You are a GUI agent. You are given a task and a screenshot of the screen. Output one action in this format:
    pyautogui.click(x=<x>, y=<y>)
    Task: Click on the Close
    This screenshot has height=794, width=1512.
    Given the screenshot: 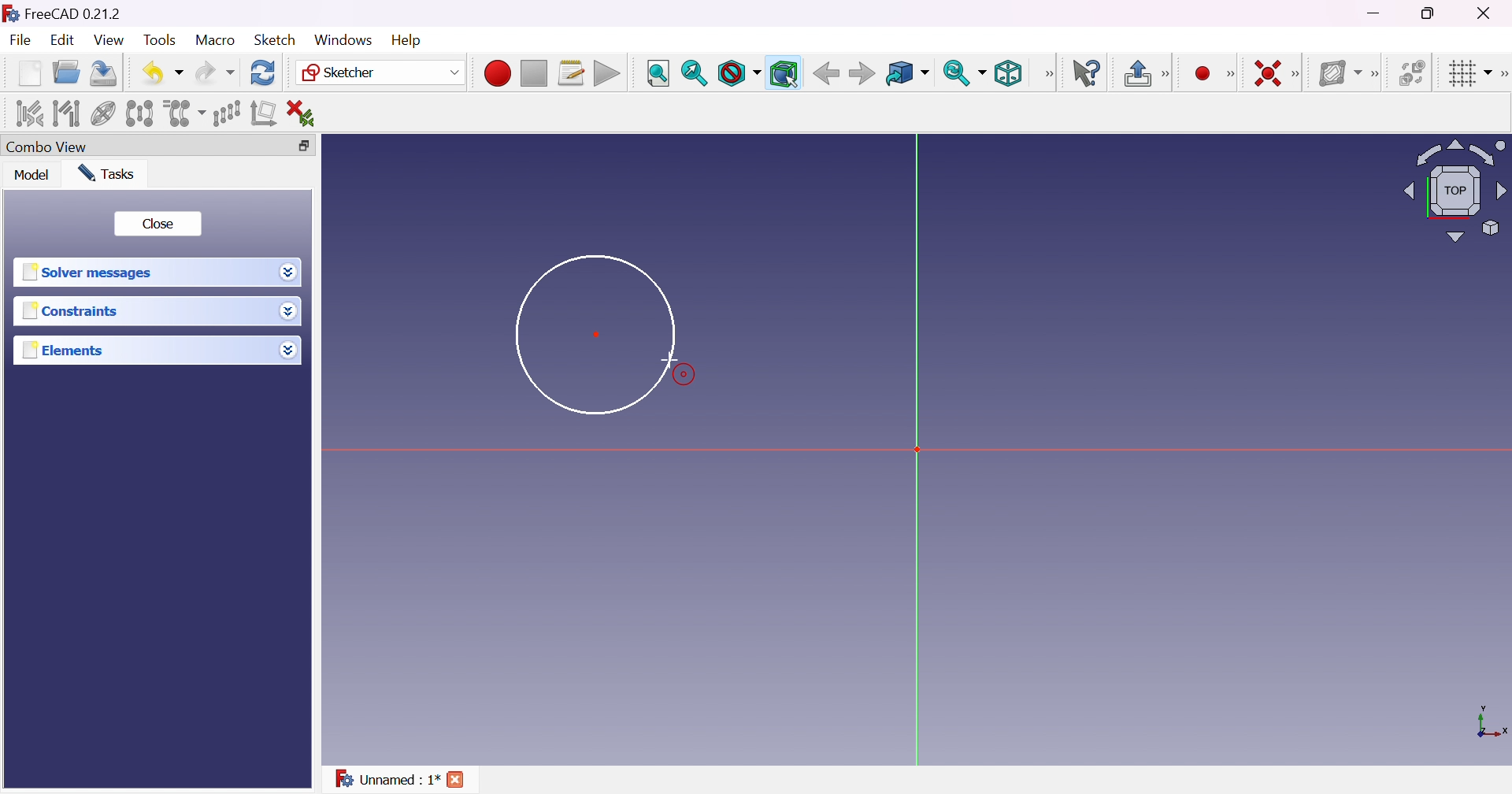 What is the action you would take?
    pyautogui.click(x=457, y=778)
    